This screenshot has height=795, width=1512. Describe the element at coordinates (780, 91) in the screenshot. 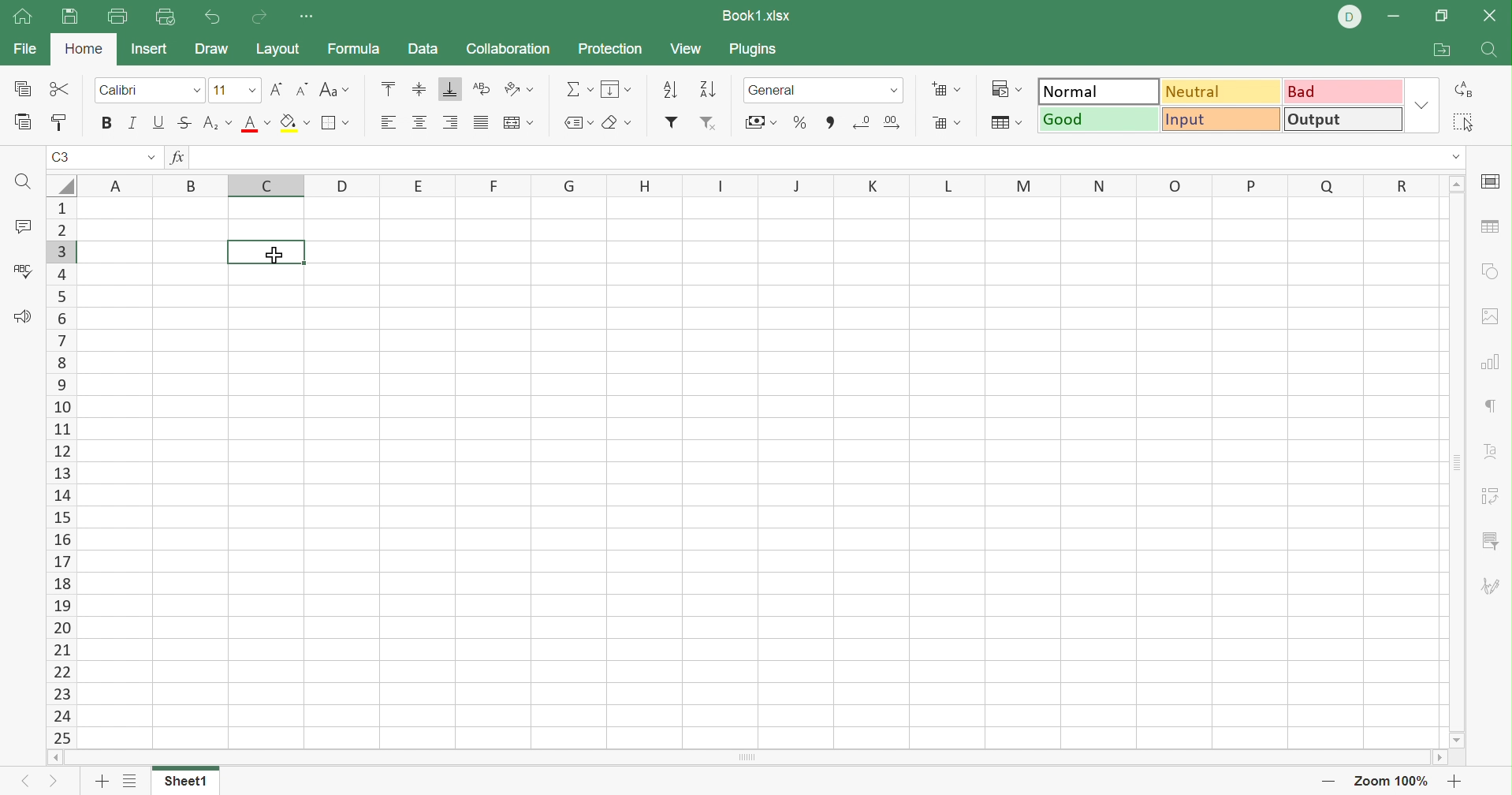

I see `General` at that location.